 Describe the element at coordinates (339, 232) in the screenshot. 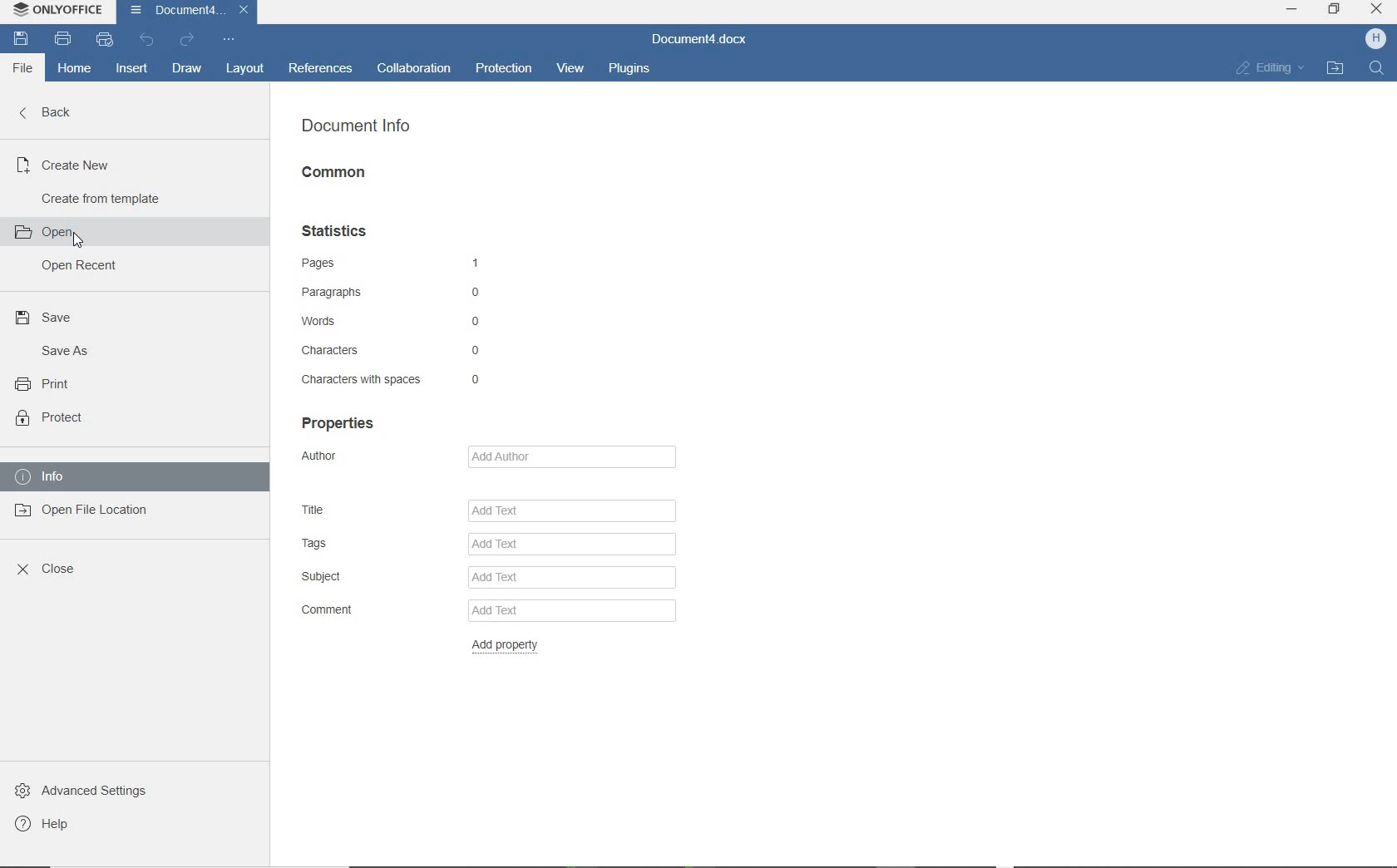

I see `statistics` at that location.